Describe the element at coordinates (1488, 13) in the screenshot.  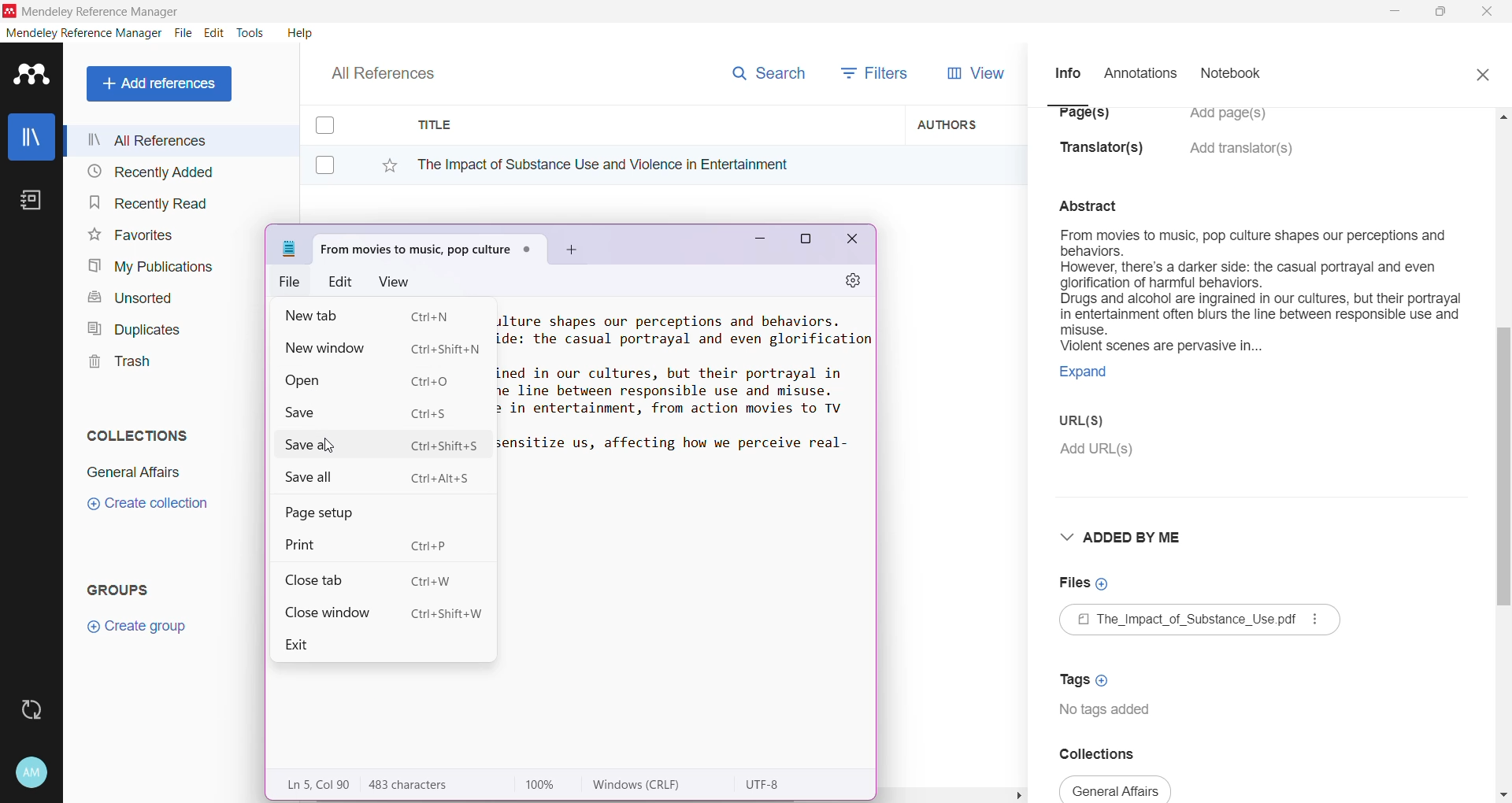
I see `Close` at that location.